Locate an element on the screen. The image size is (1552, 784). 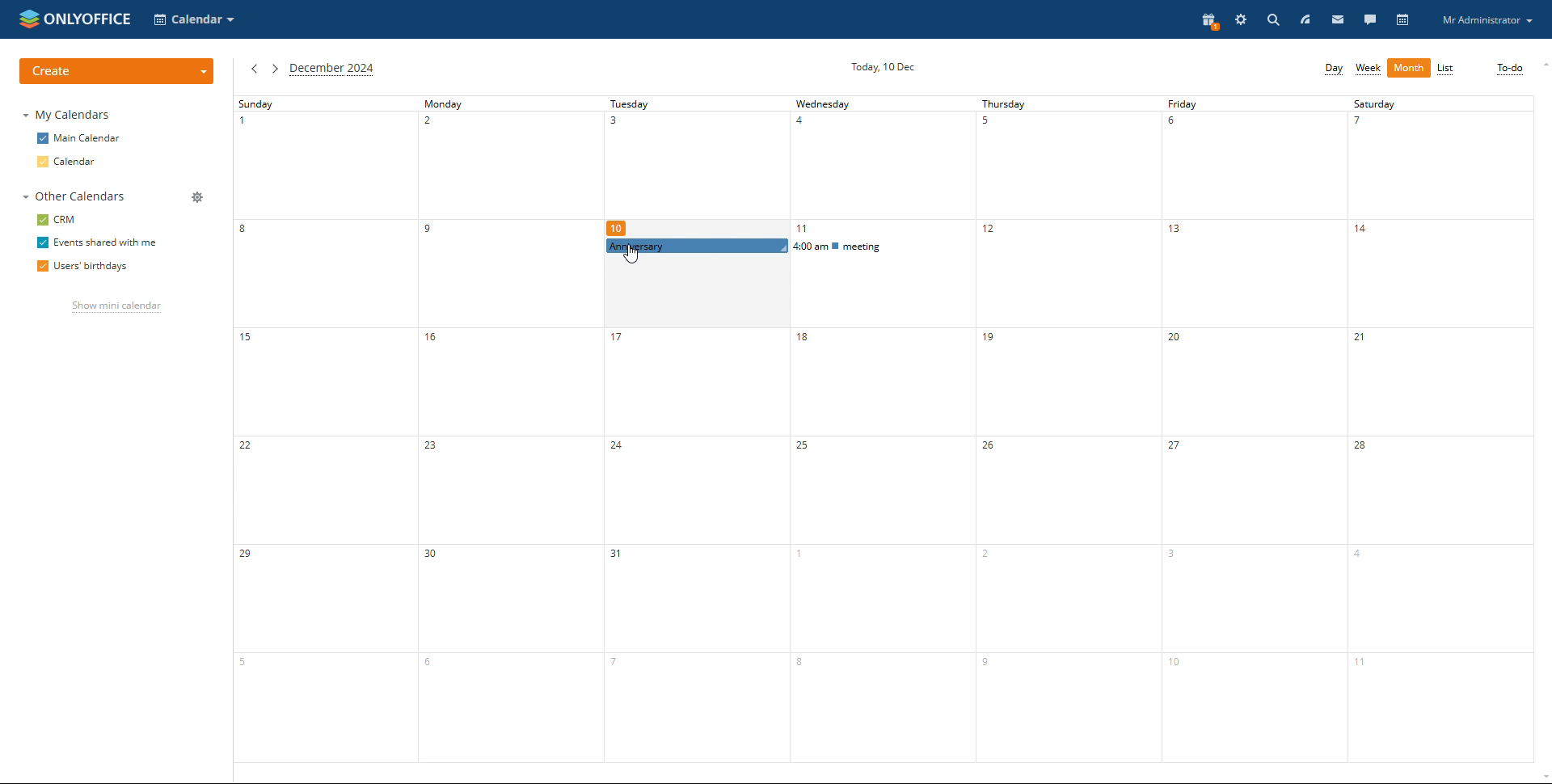
mail is located at coordinates (1338, 19).